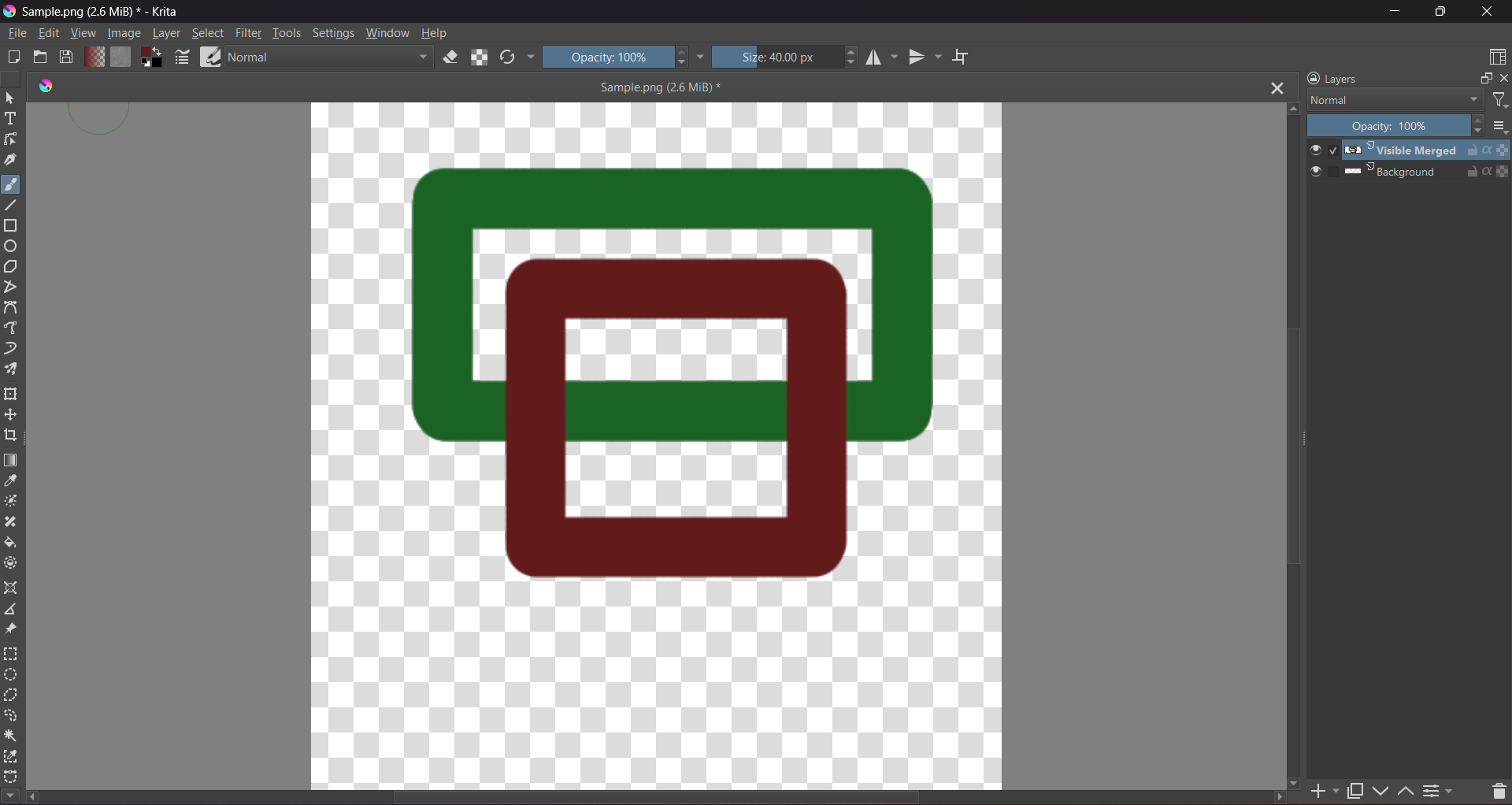 The image size is (1512, 805). What do you see at coordinates (617, 56) in the screenshot?
I see `Opacity` at bounding box center [617, 56].